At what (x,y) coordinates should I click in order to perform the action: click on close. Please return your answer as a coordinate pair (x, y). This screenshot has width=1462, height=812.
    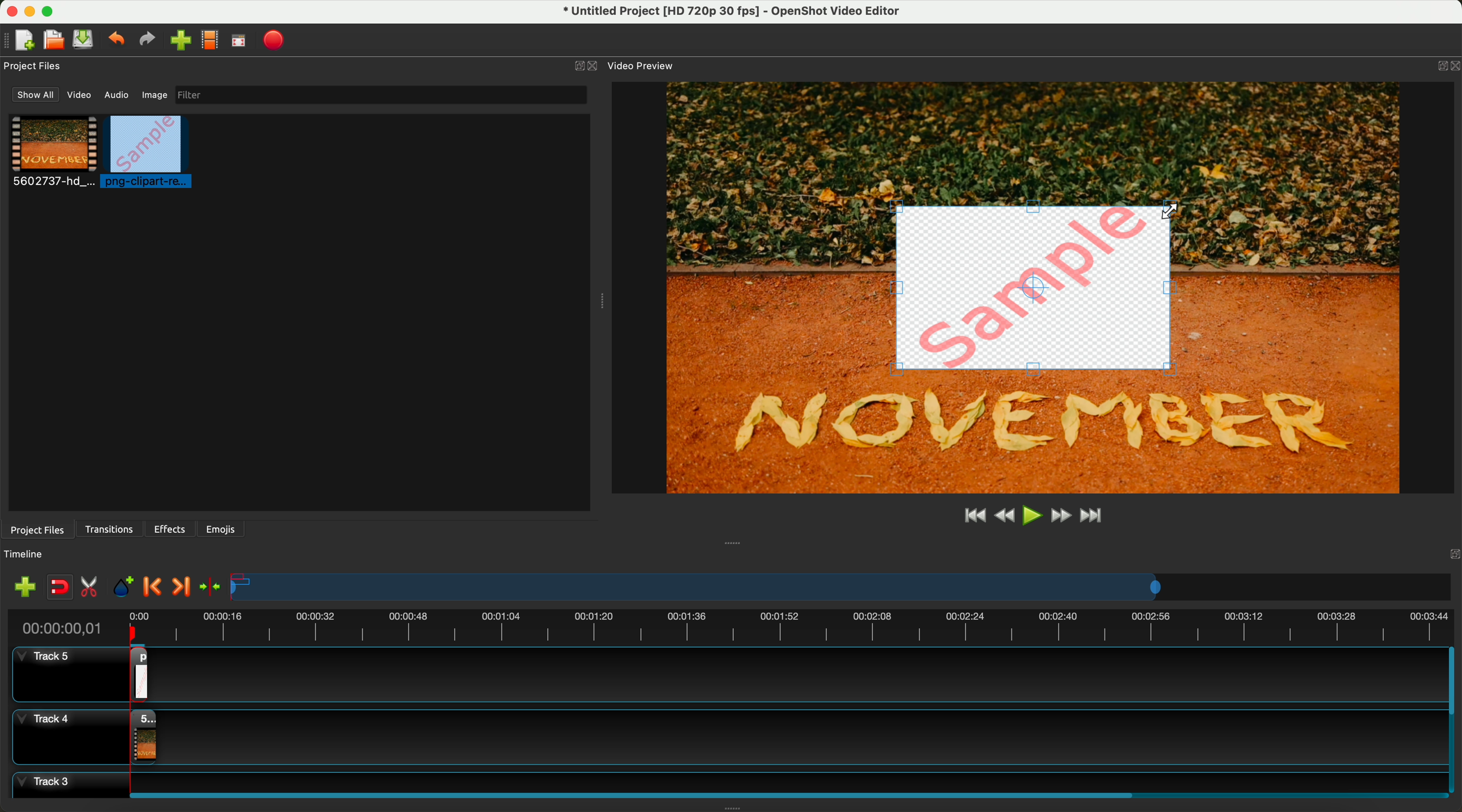
    Looking at the image, I should click on (586, 66).